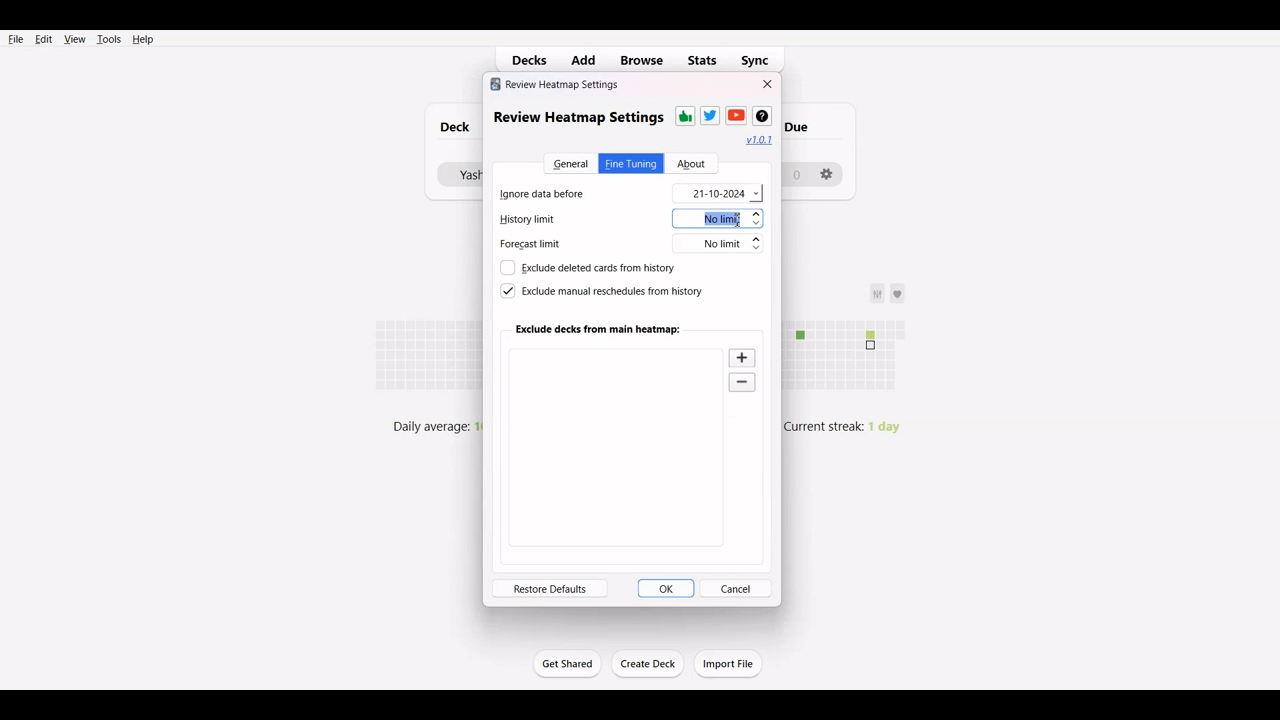 The image size is (1280, 720). What do you see at coordinates (729, 663) in the screenshot?
I see `Import File` at bounding box center [729, 663].